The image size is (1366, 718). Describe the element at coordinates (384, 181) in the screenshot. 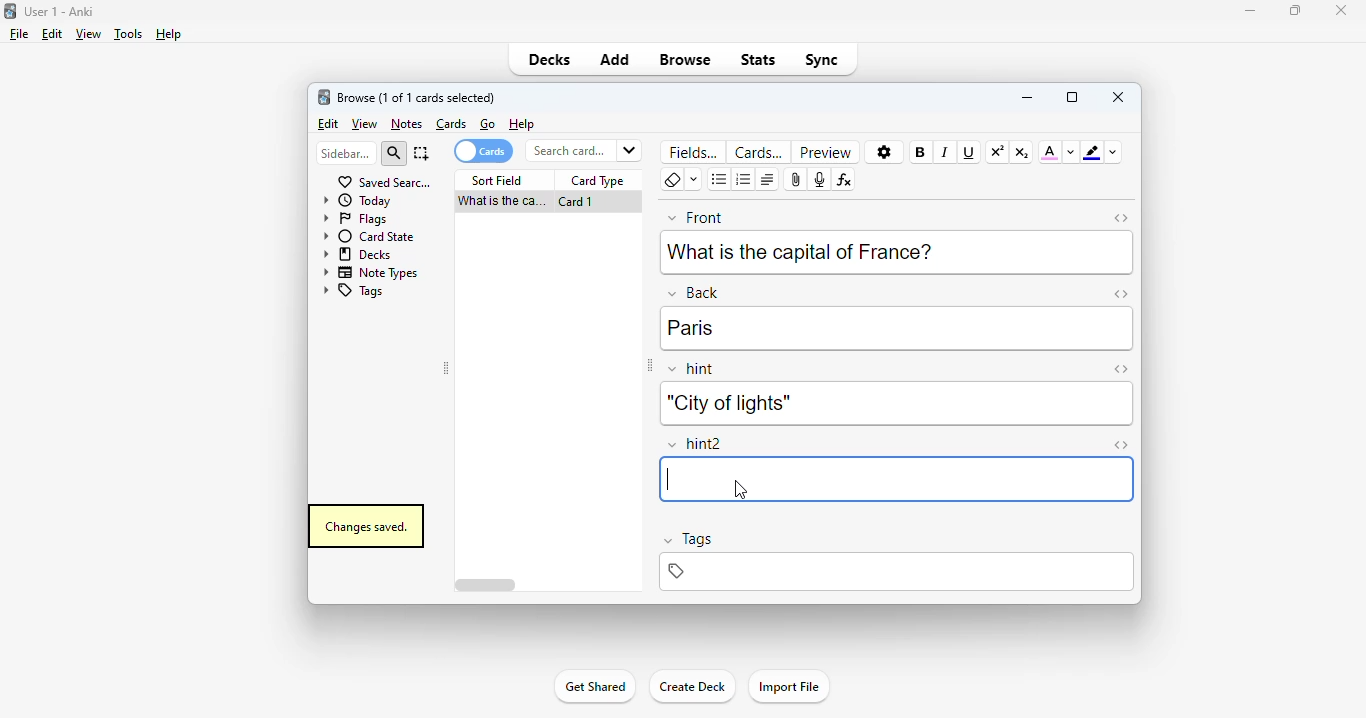

I see `saved searches` at that location.